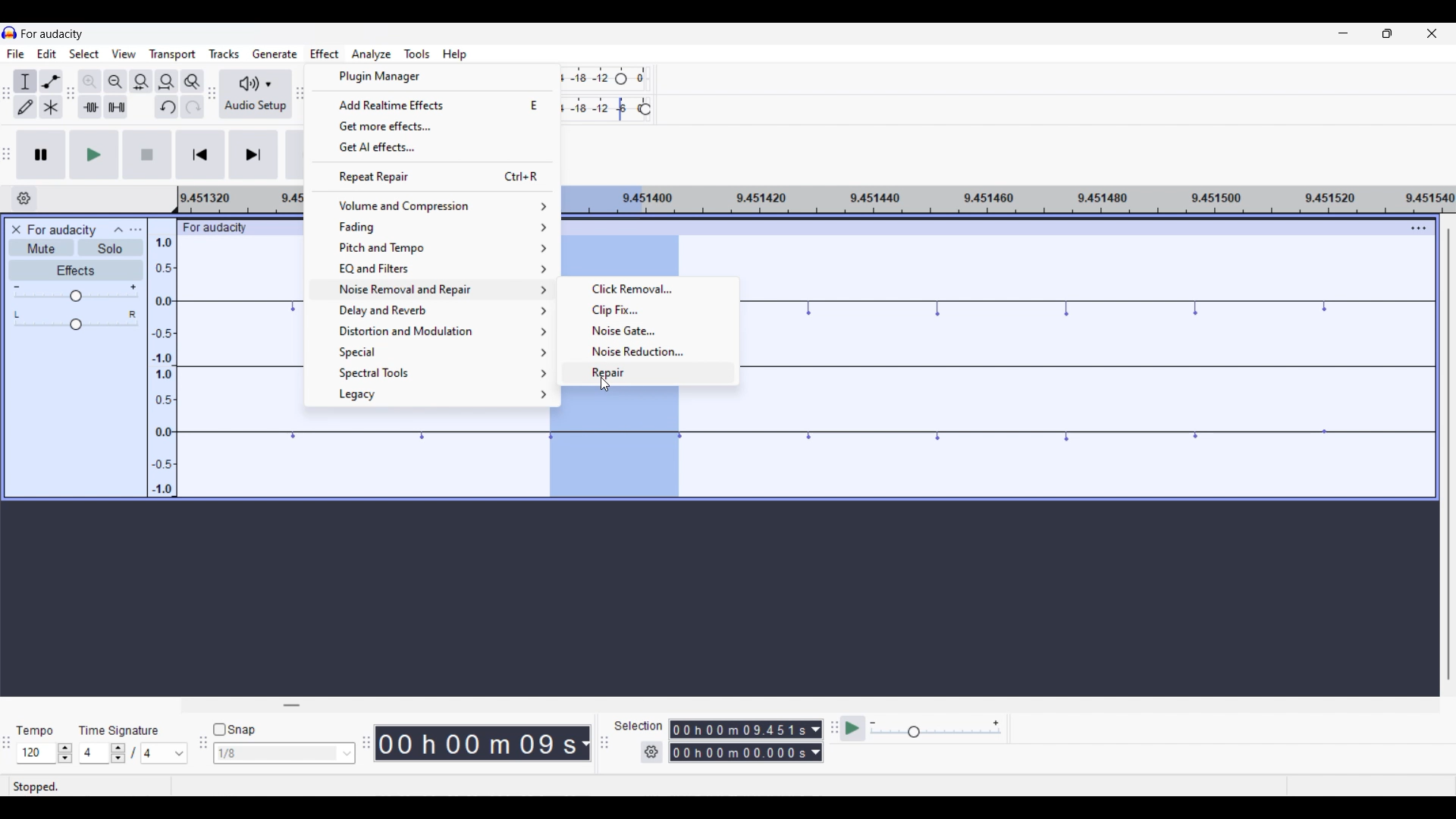 The image size is (1456, 819). What do you see at coordinates (42, 248) in the screenshot?
I see `Mute` at bounding box center [42, 248].